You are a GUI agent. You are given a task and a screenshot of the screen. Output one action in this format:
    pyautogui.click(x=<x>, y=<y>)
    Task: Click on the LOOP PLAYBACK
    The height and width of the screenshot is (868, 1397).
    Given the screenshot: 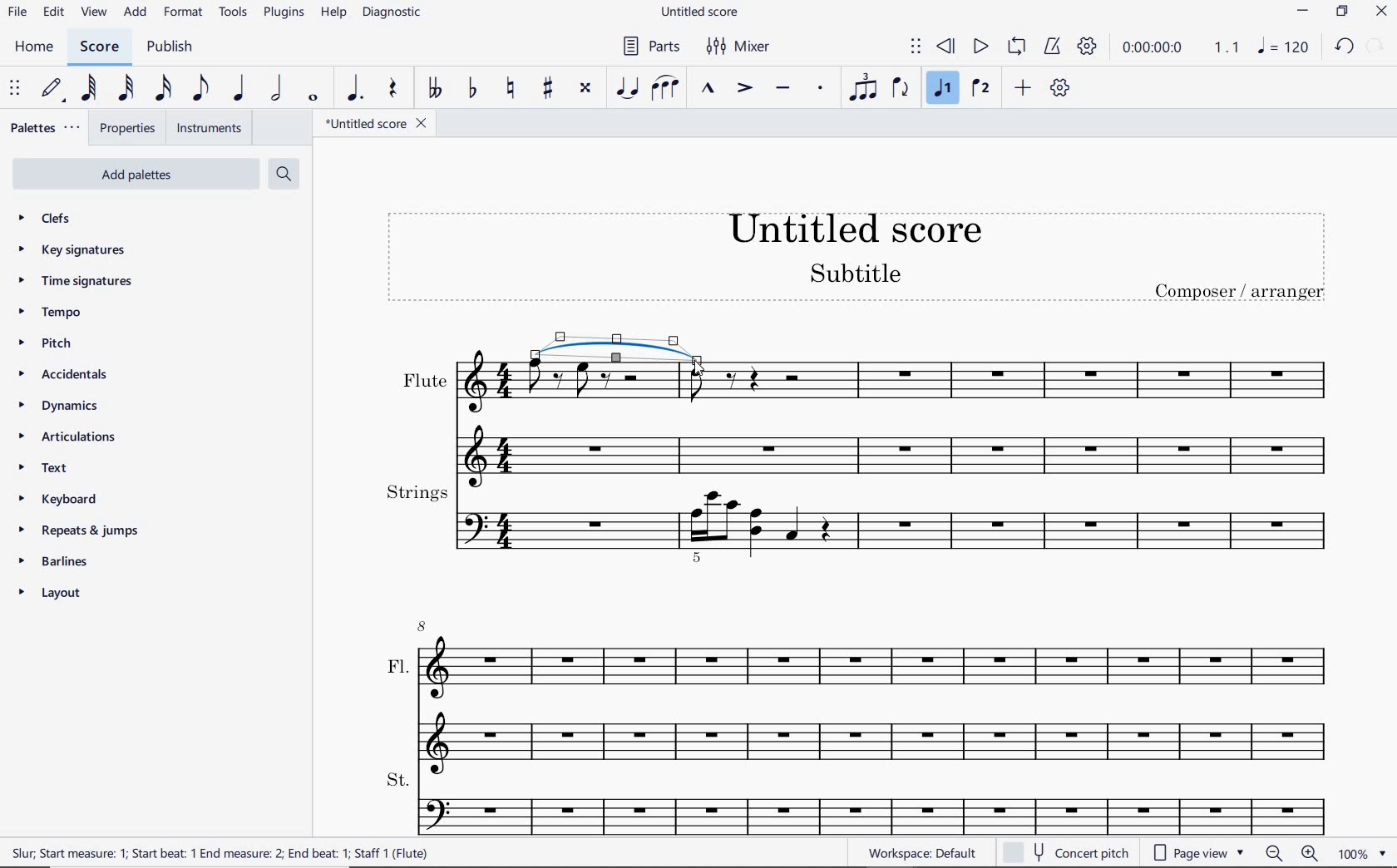 What is the action you would take?
    pyautogui.click(x=1017, y=47)
    